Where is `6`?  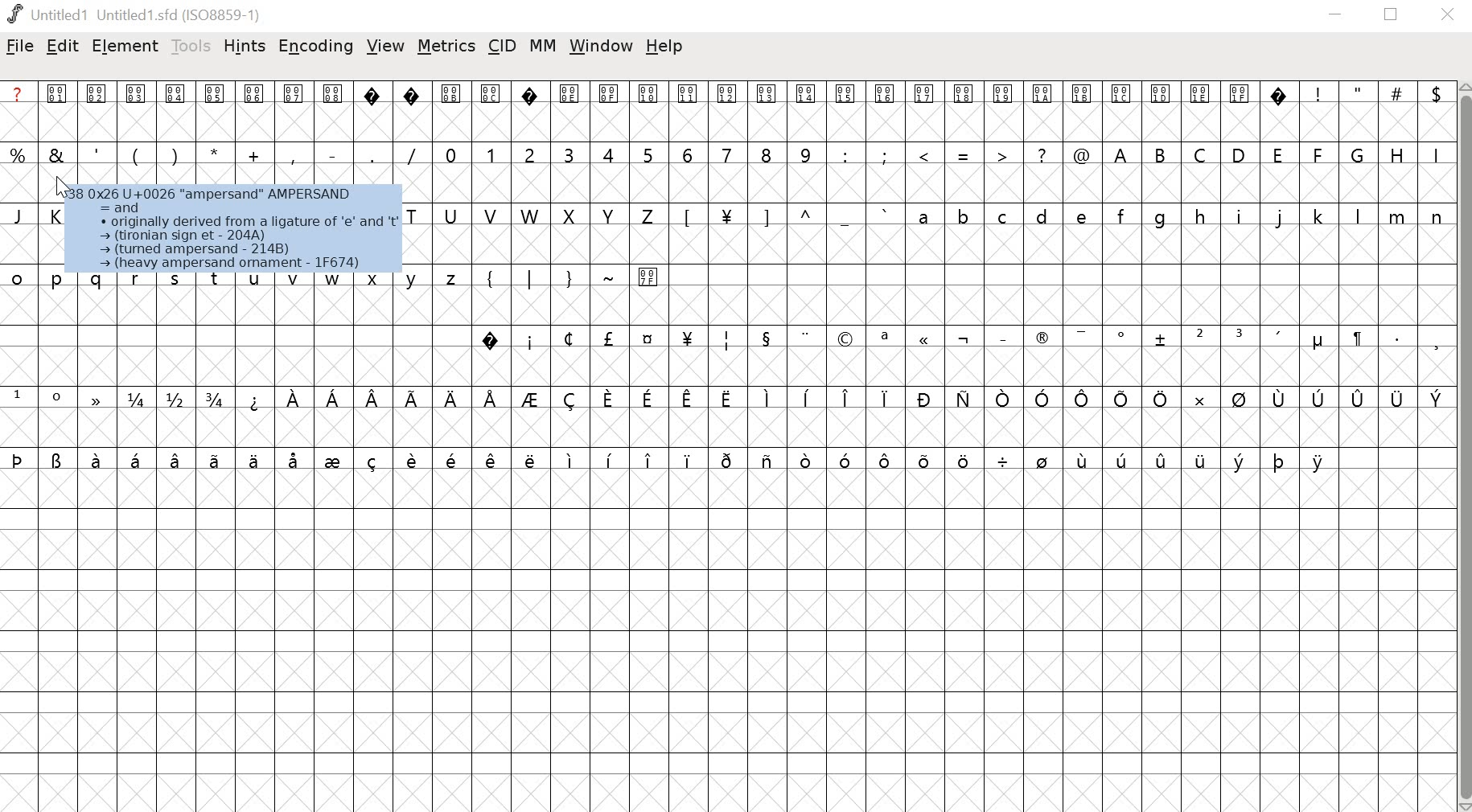
6 is located at coordinates (691, 153).